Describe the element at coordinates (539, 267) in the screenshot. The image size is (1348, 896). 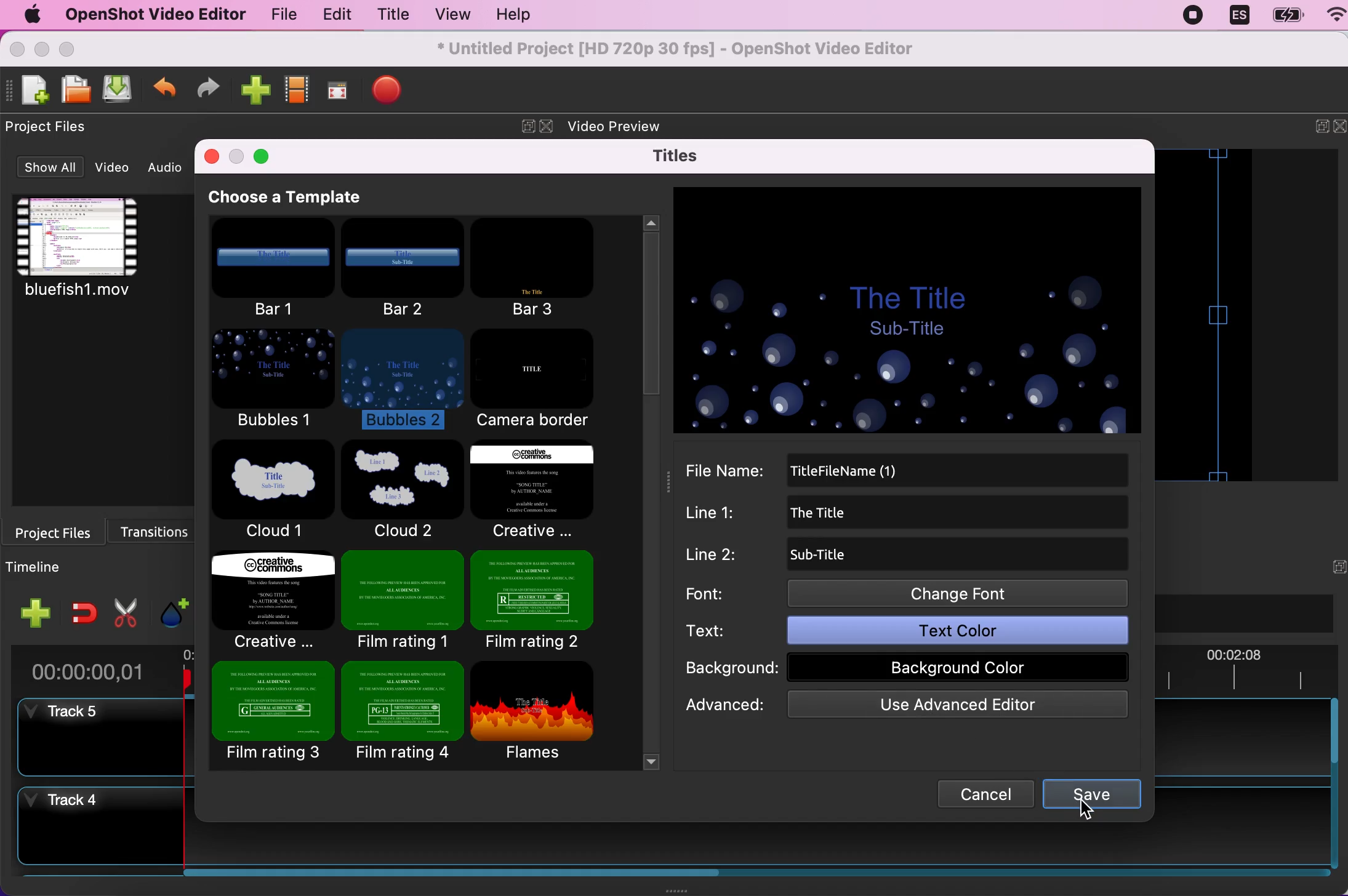
I see `bar 3` at that location.